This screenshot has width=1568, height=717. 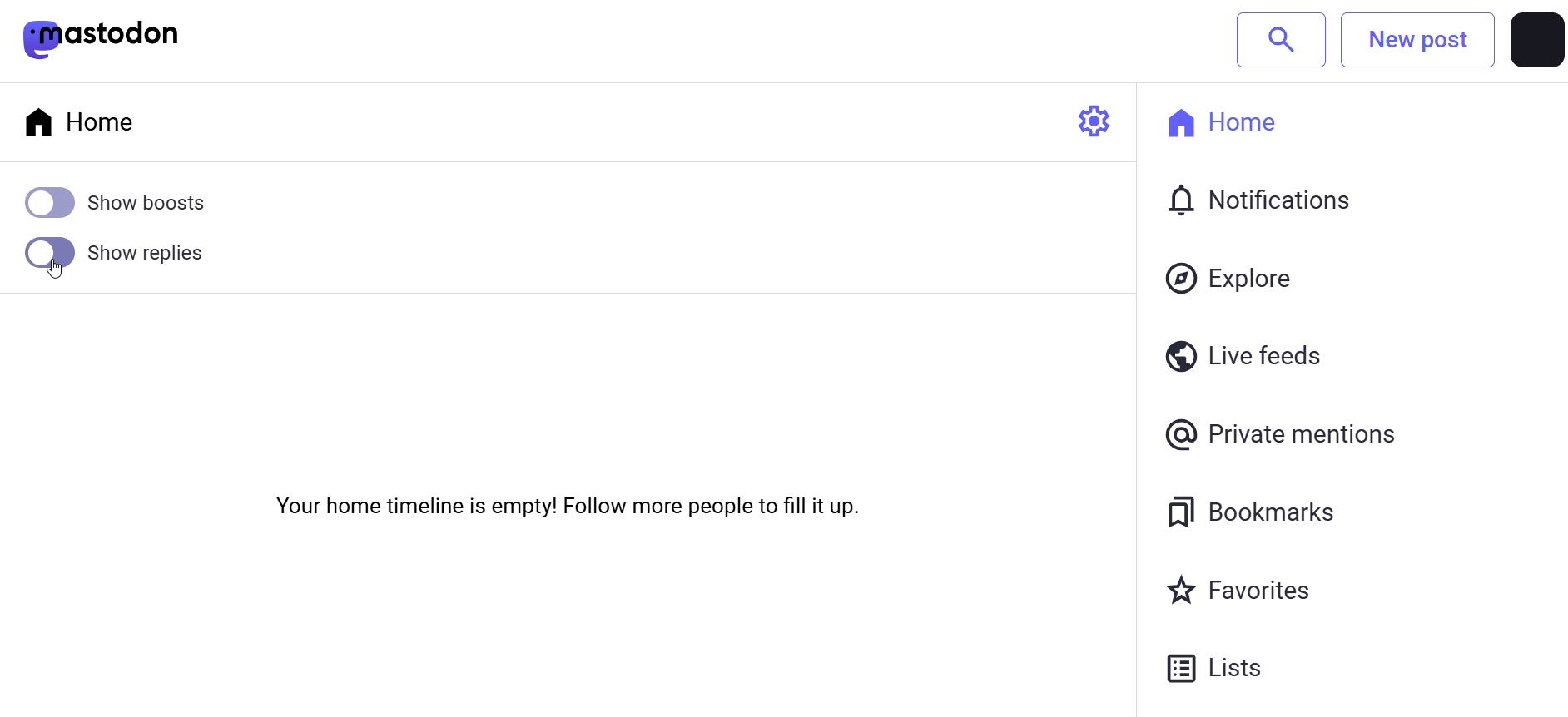 I want to click on Your home timeline is empty! Follow more people to fill it up., so click(x=564, y=507).